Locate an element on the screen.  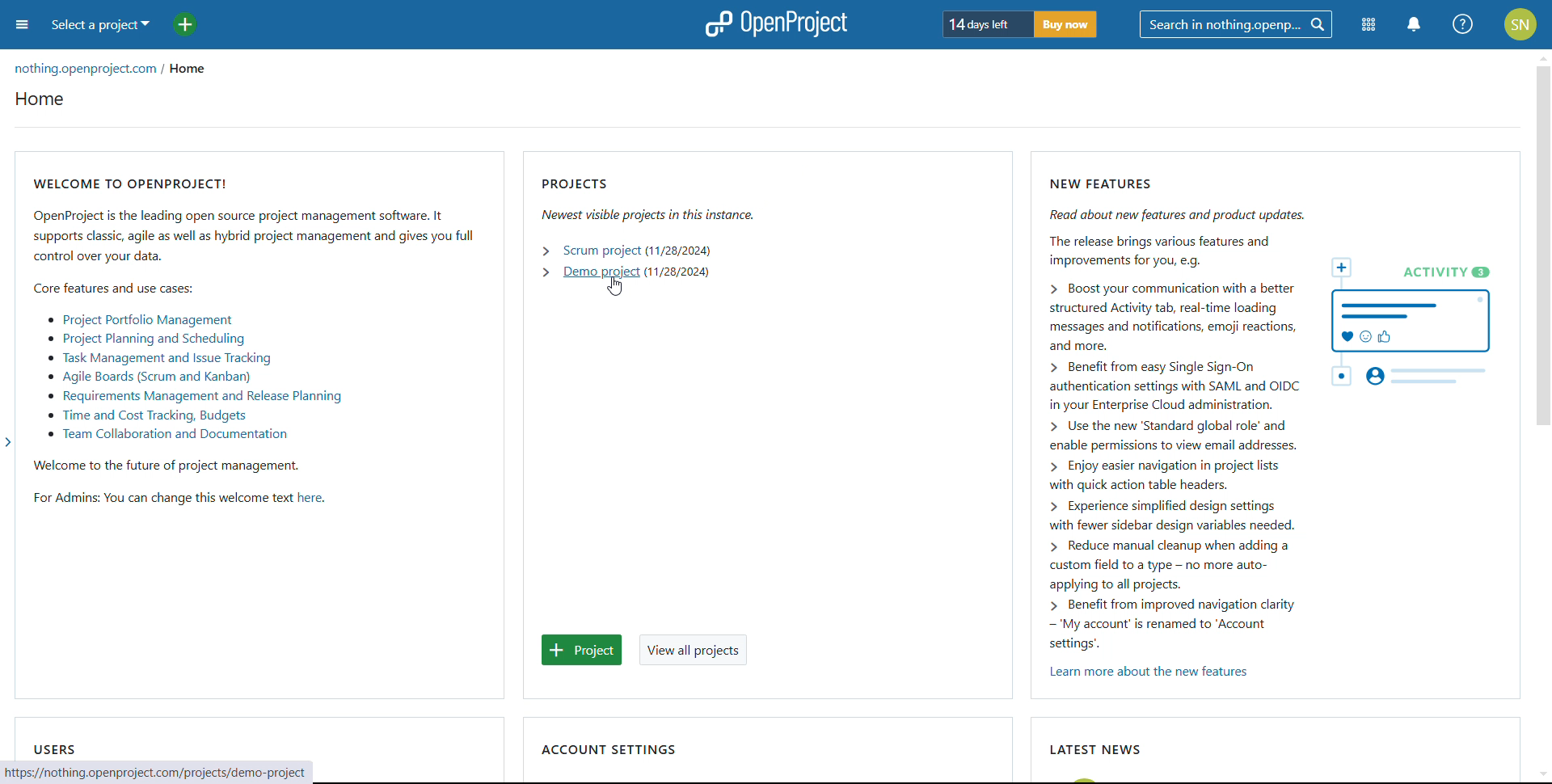
latest news is located at coordinates (1094, 750).